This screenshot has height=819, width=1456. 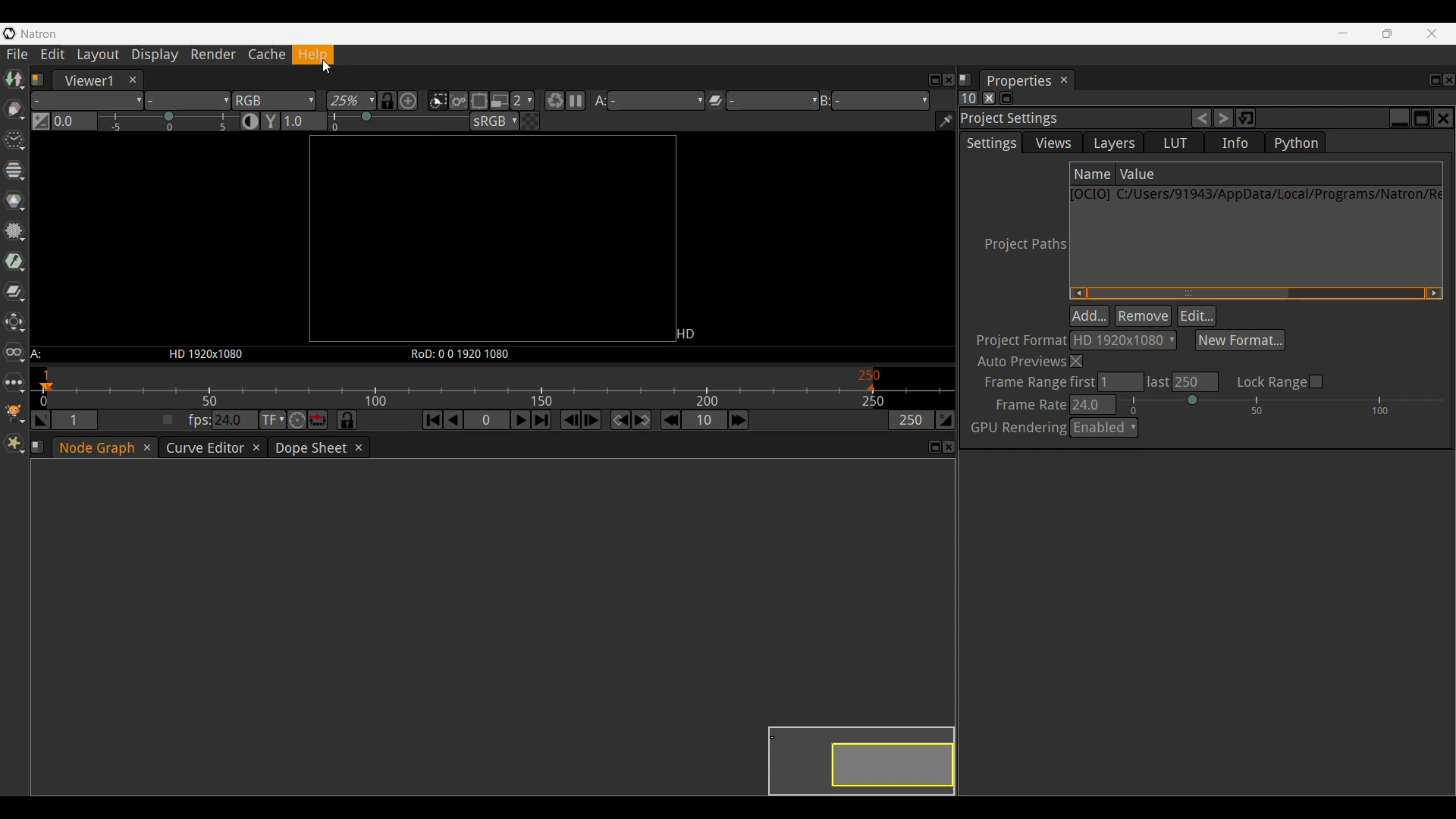 What do you see at coordinates (911, 420) in the screenshot?
I see `250` at bounding box center [911, 420].